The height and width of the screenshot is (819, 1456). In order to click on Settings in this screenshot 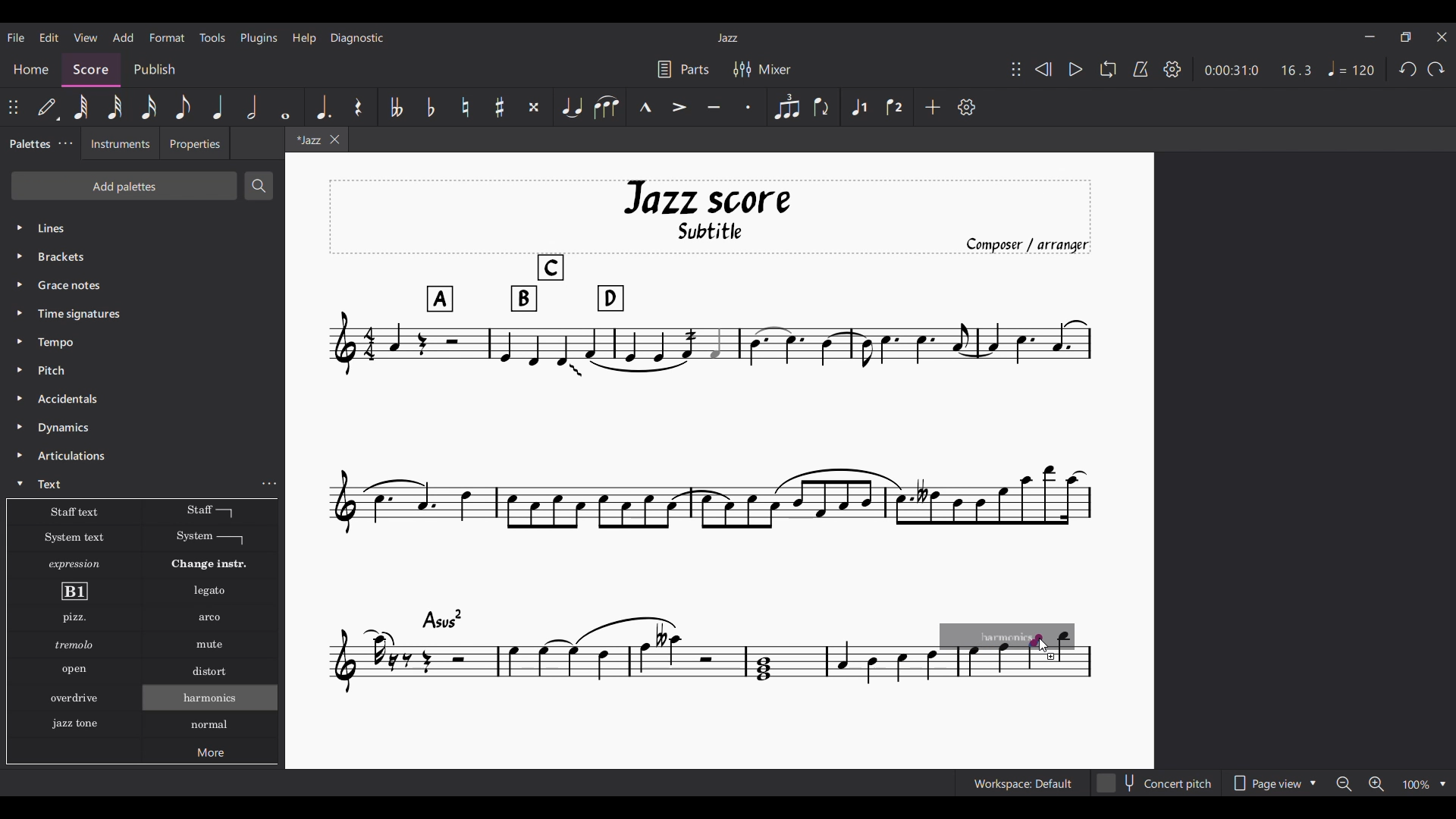, I will do `click(967, 107)`.